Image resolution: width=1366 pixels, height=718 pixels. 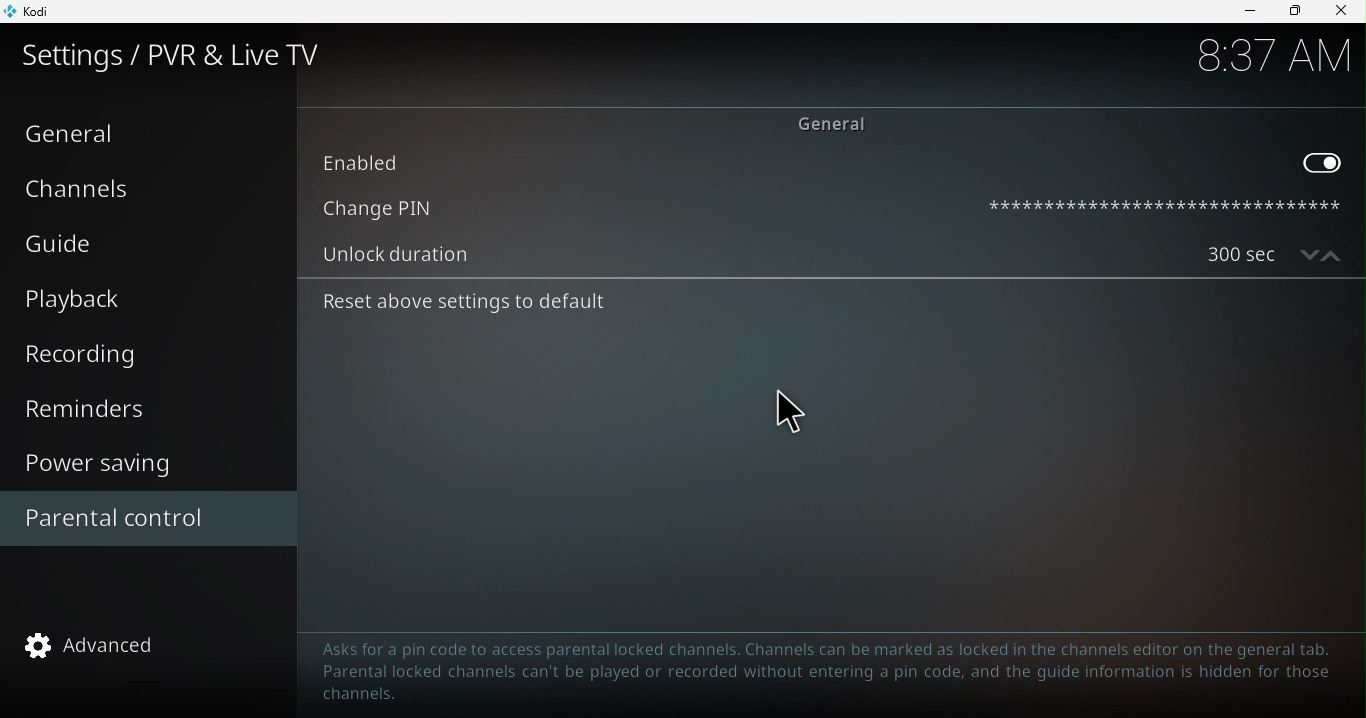 I want to click on Guide, so click(x=144, y=242).